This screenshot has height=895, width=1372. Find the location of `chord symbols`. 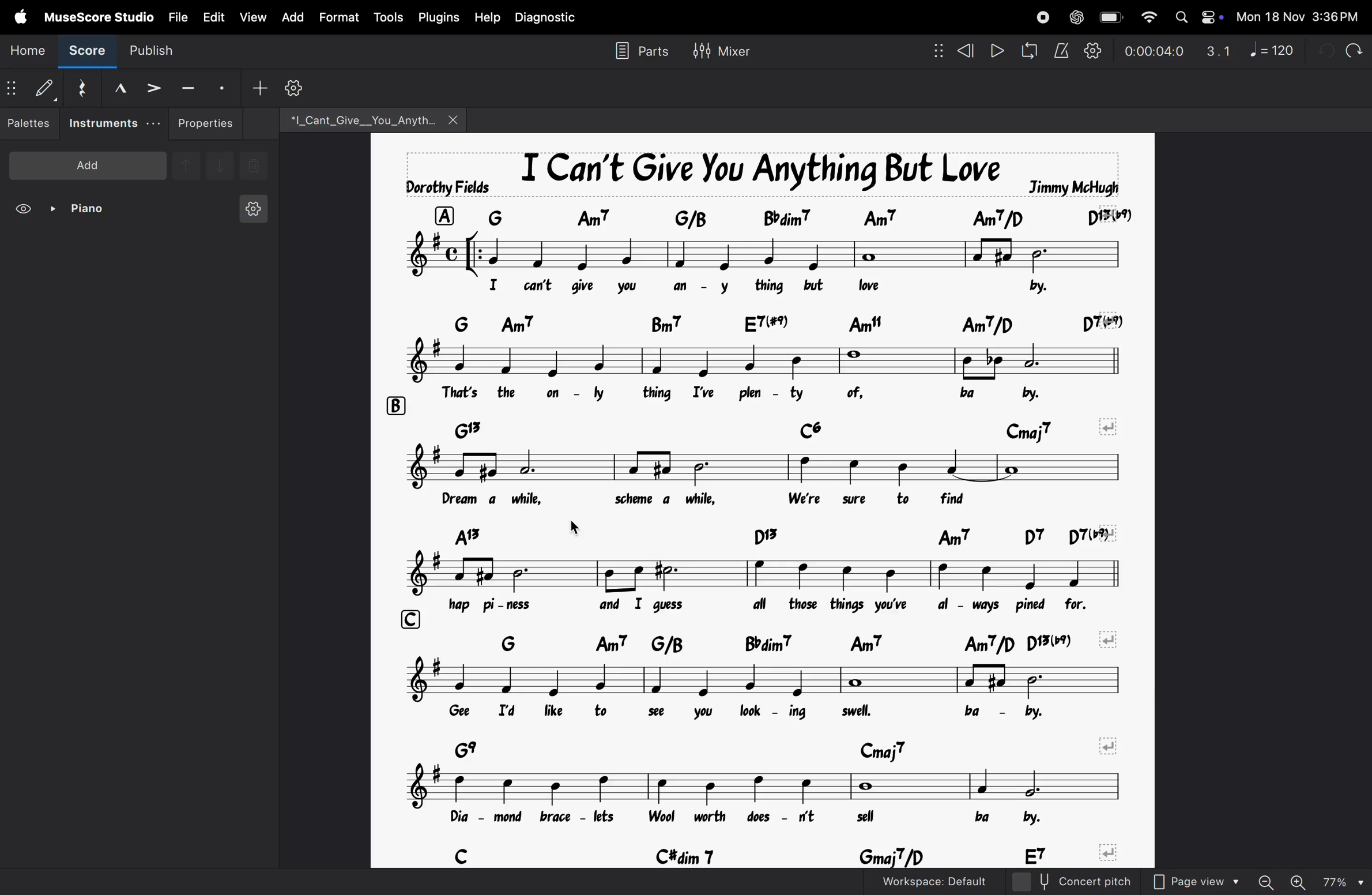

chord symbols is located at coordinates (787, 319).